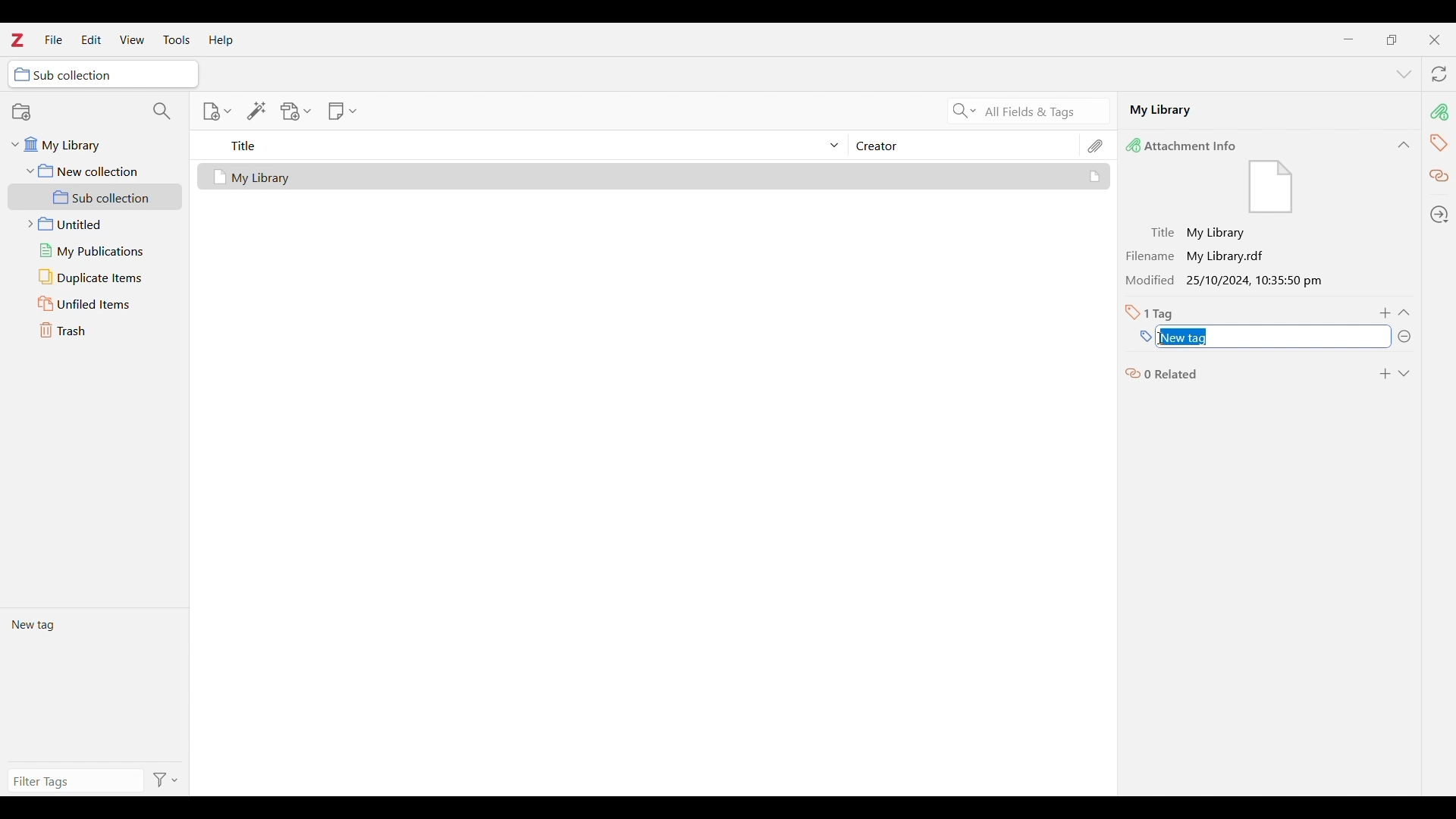 The width and height of the screenshot is (1456, 819). I want to click on My library folder, so click(93, 143).